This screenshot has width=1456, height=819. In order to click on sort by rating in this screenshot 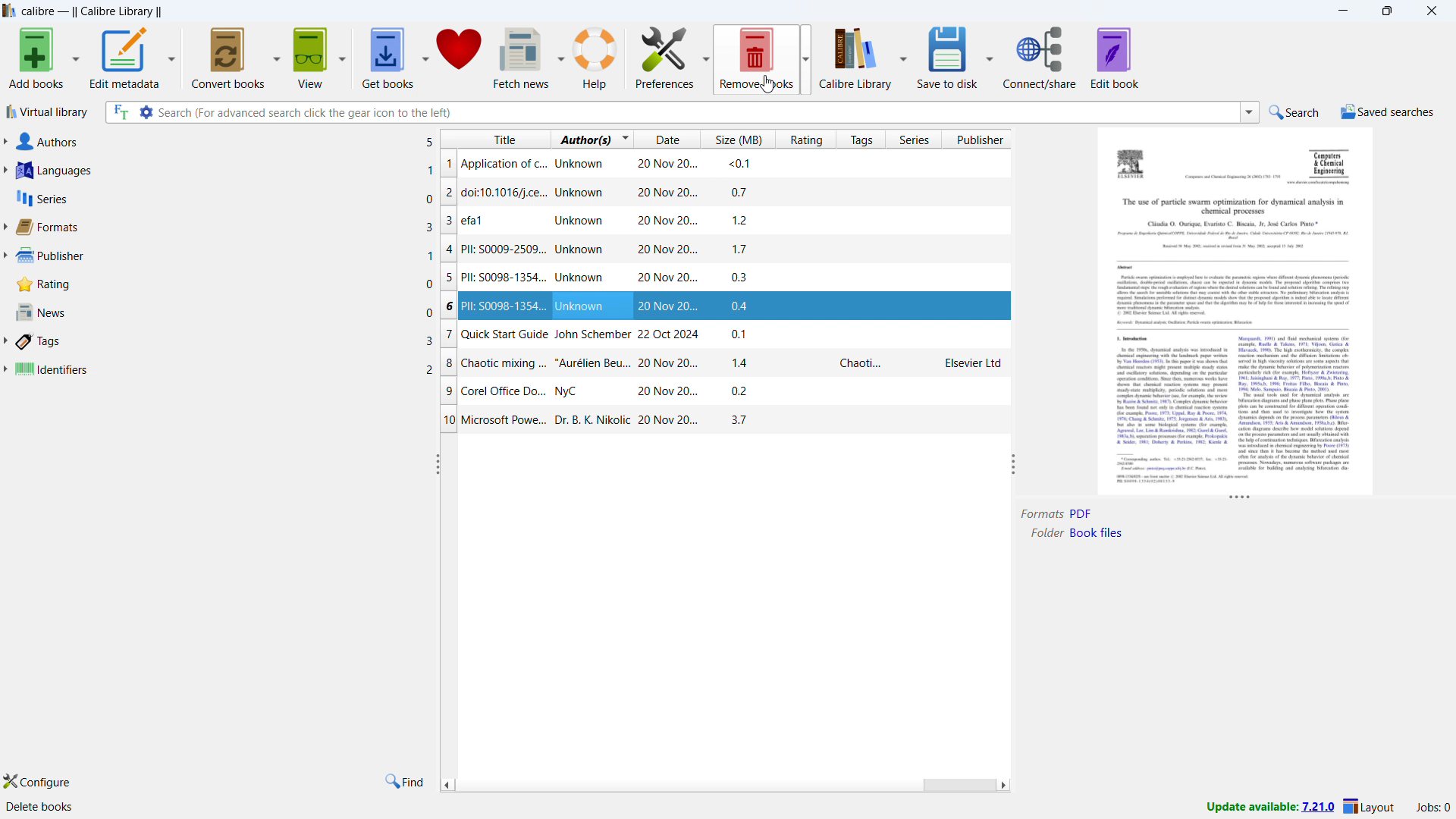, I will do `click(805, 140)`.